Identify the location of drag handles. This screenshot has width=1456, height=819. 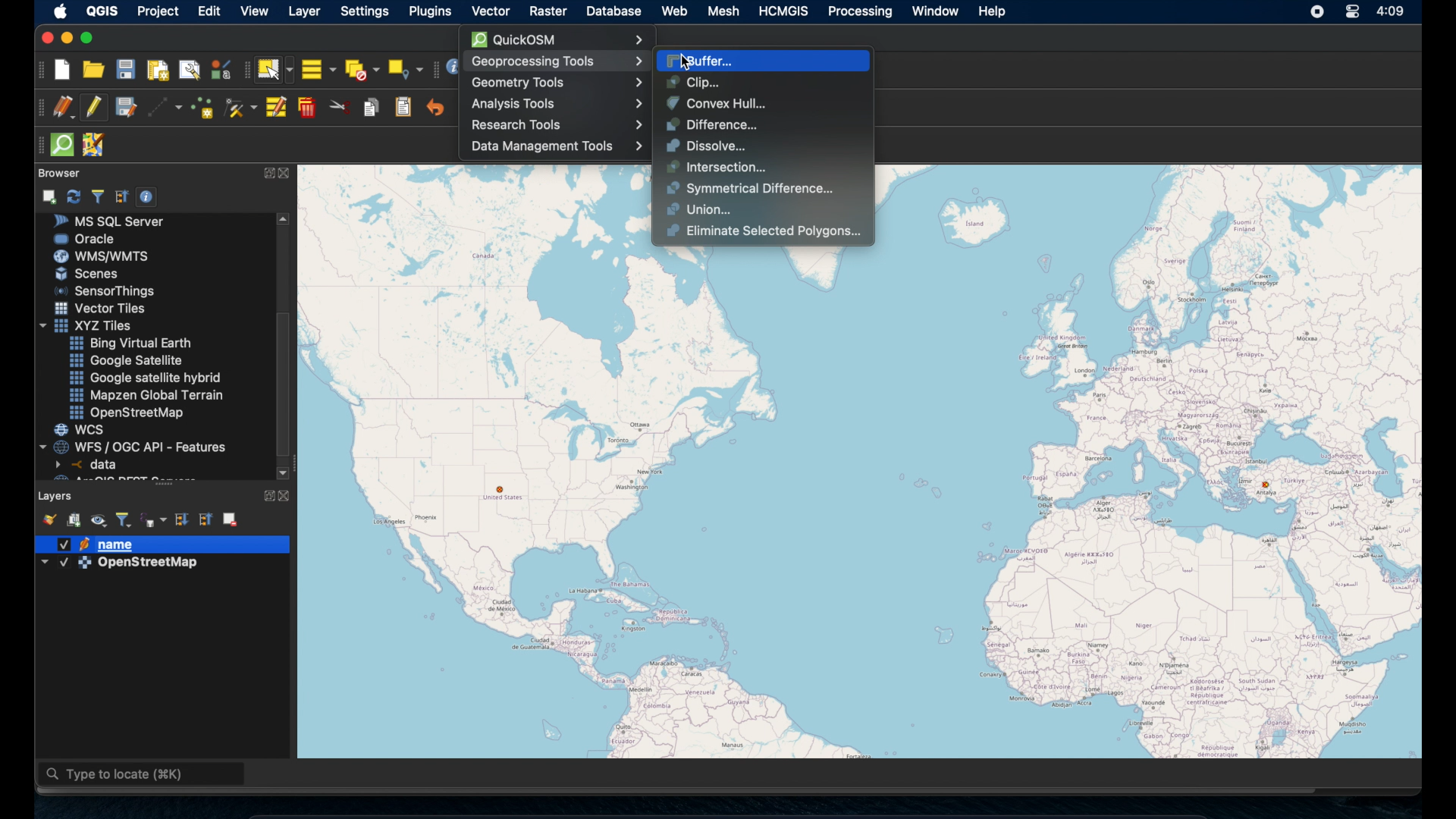
(37, 143).